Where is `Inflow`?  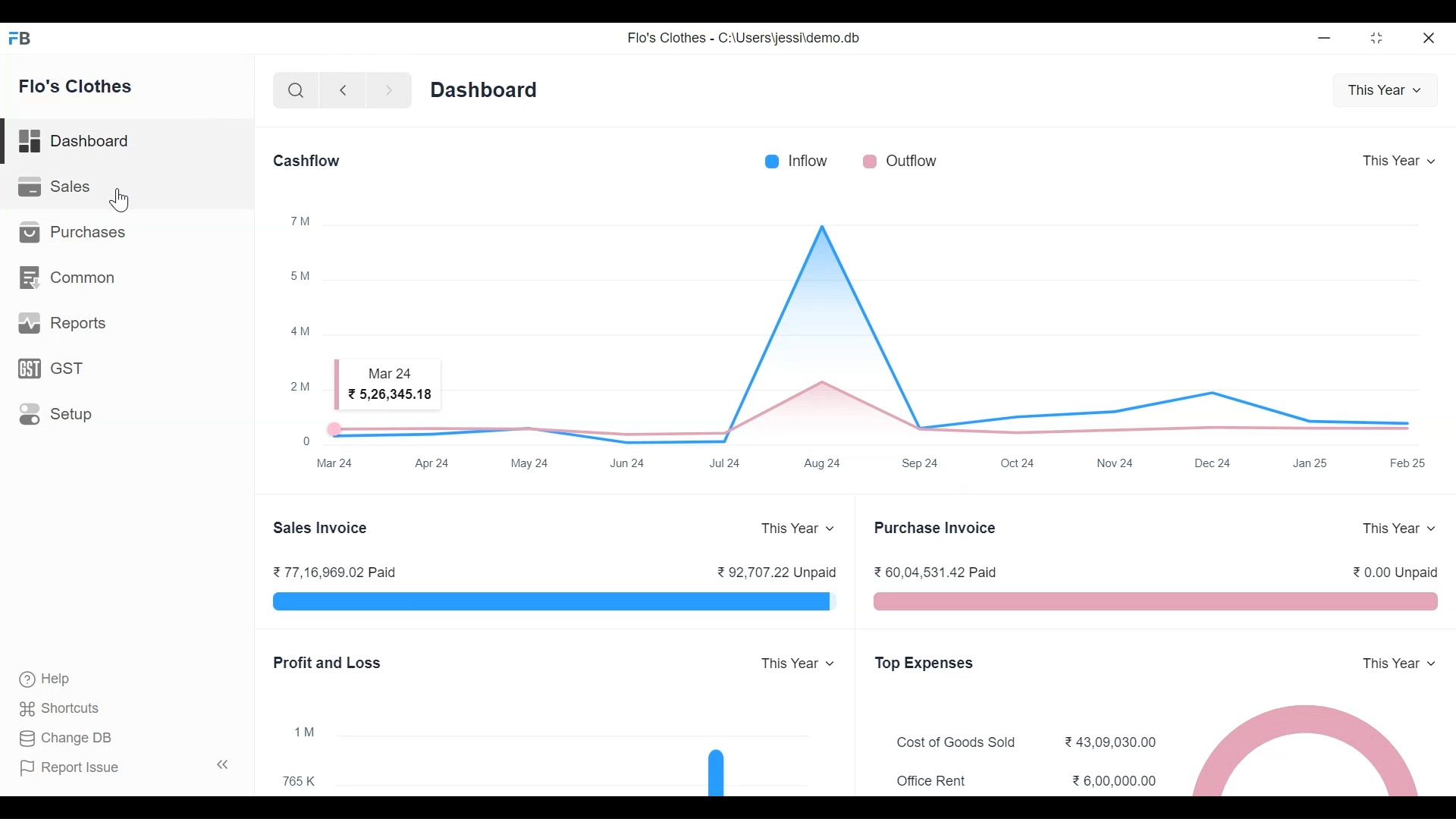 Inflow is located at coordinates (808, 160).